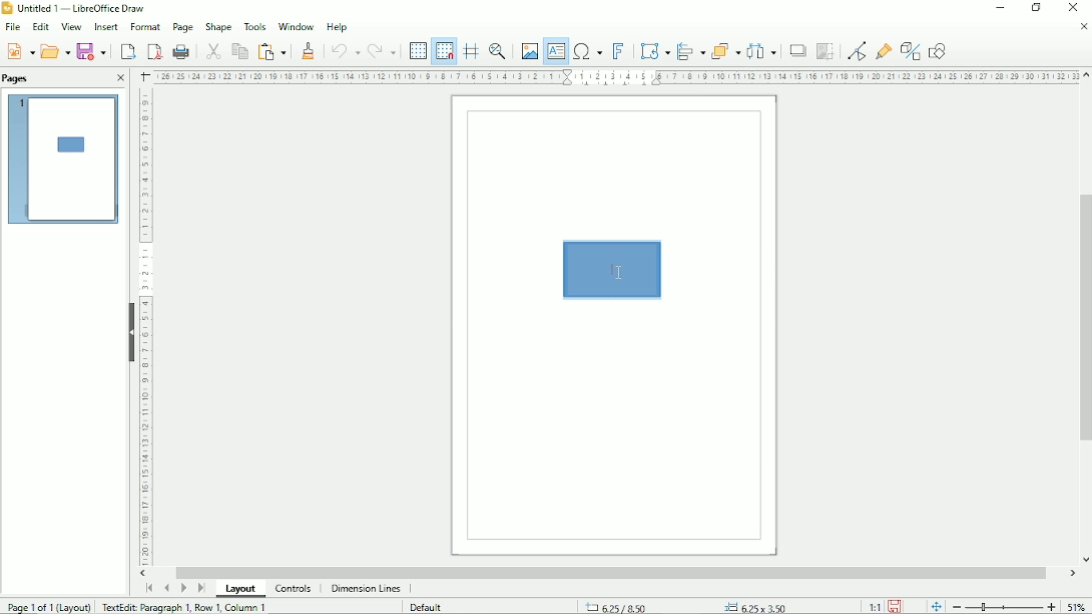 Image resolution: width=1092 pixels, height=614 pixels. What do you see at coordinates (618, 274) in the screenshot?
I see `Cursor` at bounding box center [618, 274].